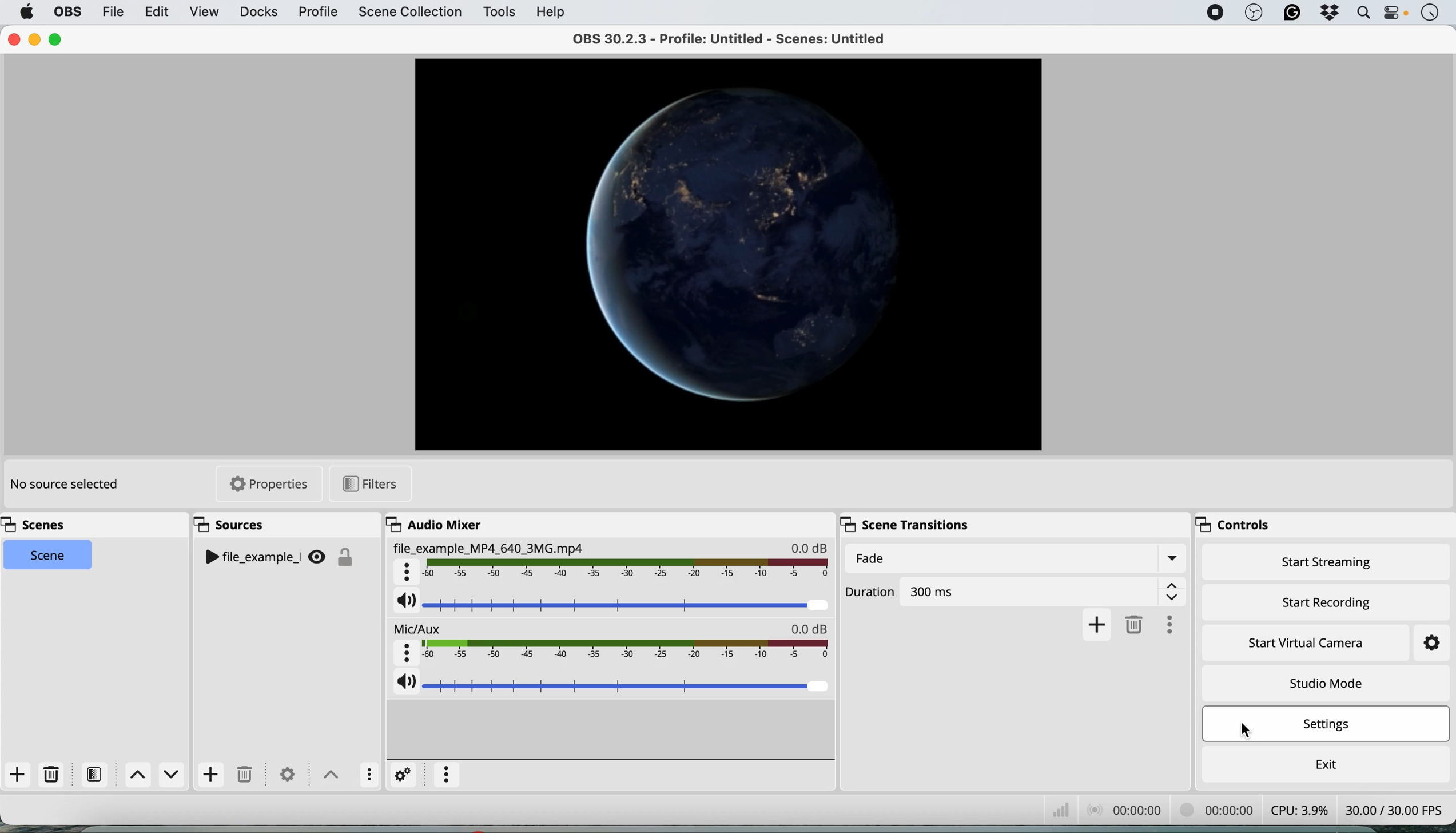 This screenshot has width=1456, height=833. I want to click on start streaming, so click(1327, 565).